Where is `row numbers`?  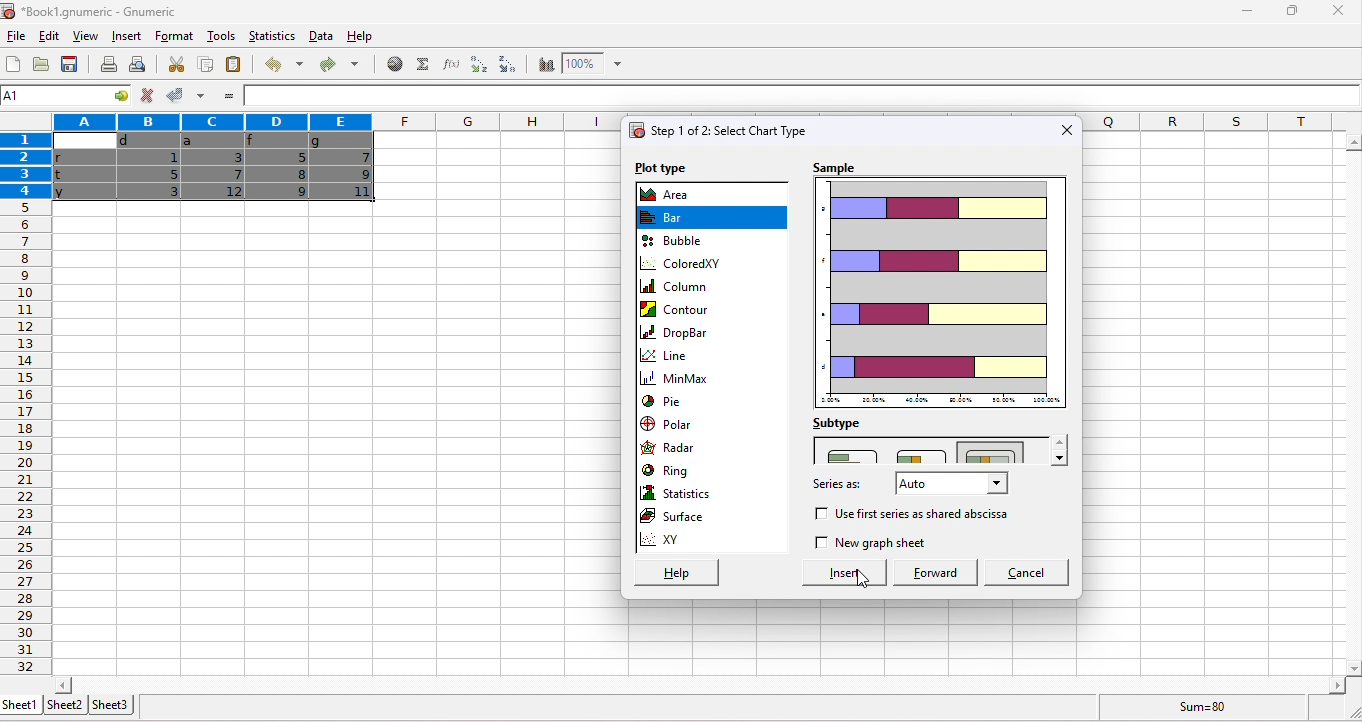 row numbers is located at coordinates (29, 438).